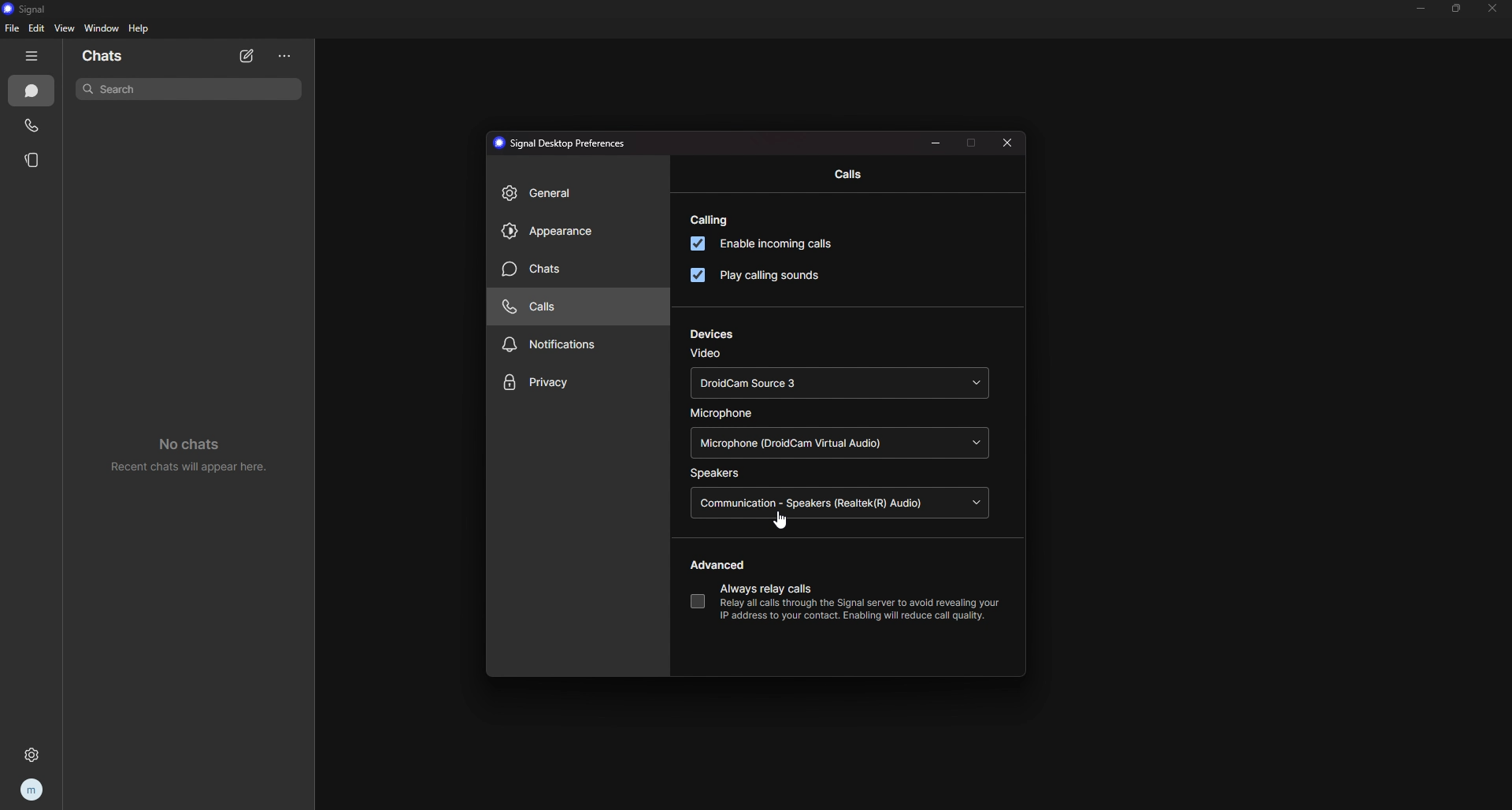  What do you see at coordinates (773, 588) in the screenshot?
I see `always relay calls` at bounding box center [773, 588].